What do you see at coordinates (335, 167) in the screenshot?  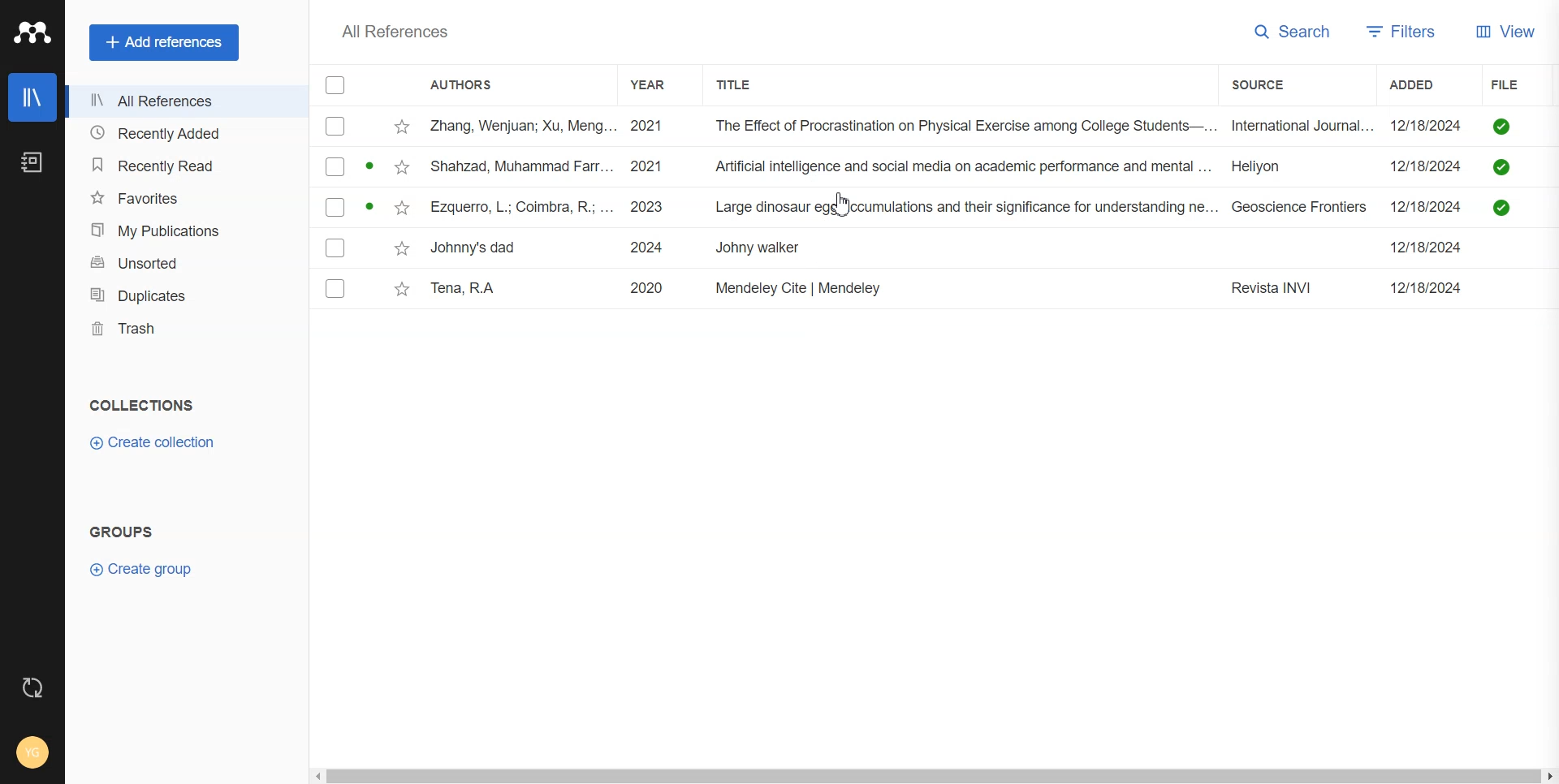 I see `Checkbox` at bounding box center [335, 167].